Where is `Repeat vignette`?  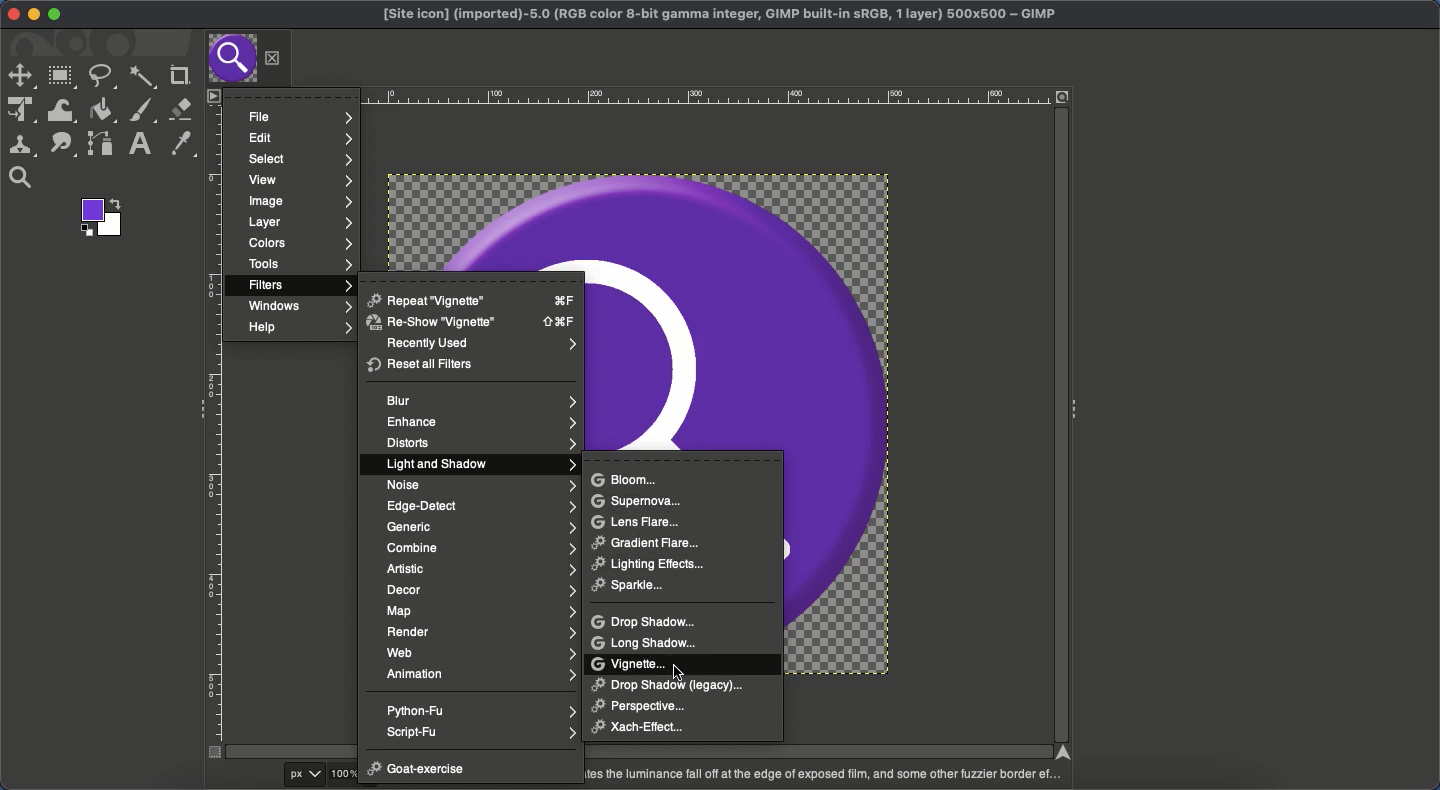 Repeat vignette is located at coordinates (473, 299).